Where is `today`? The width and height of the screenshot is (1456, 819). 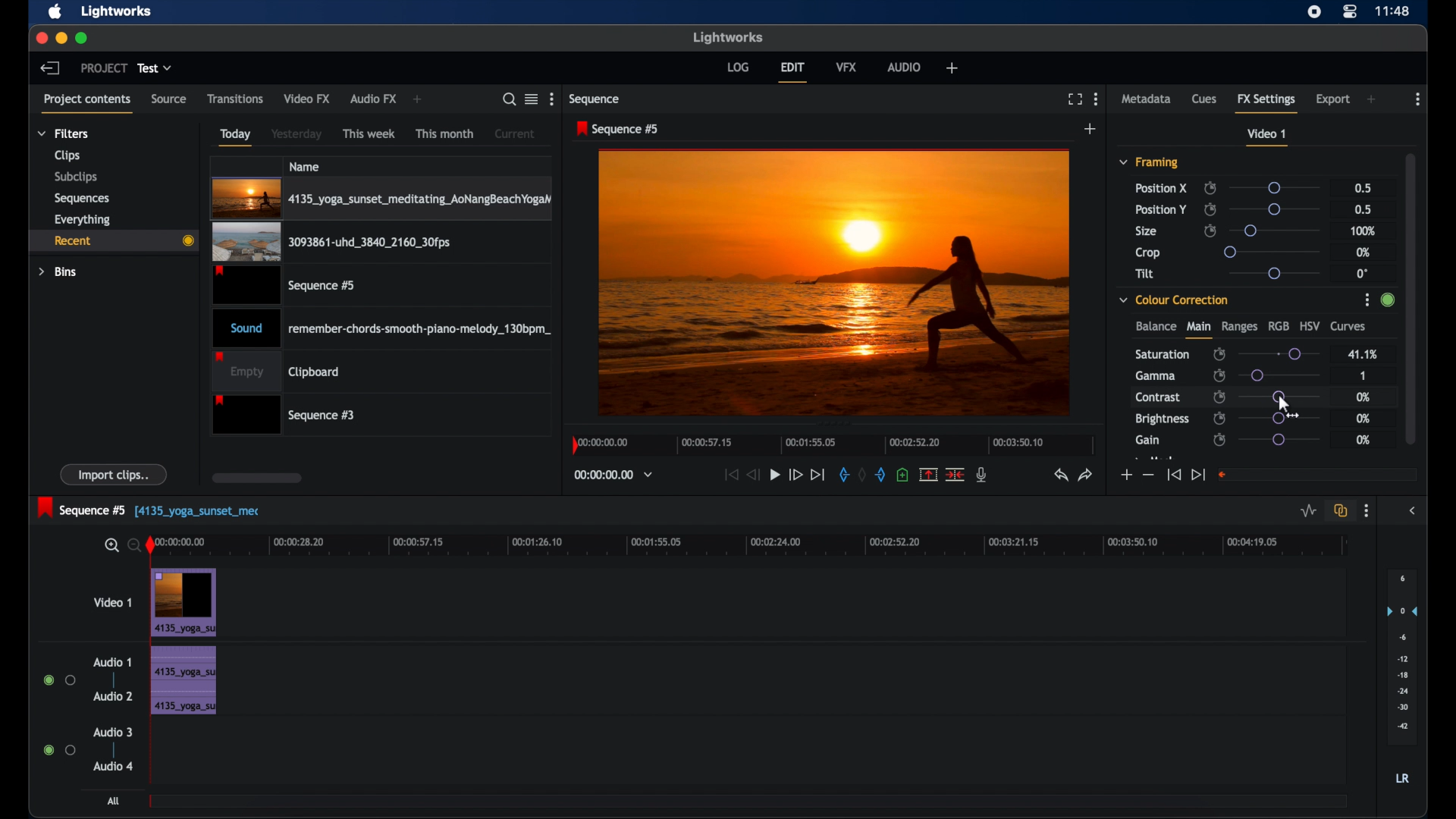
today is located at coordinates (235, 136).